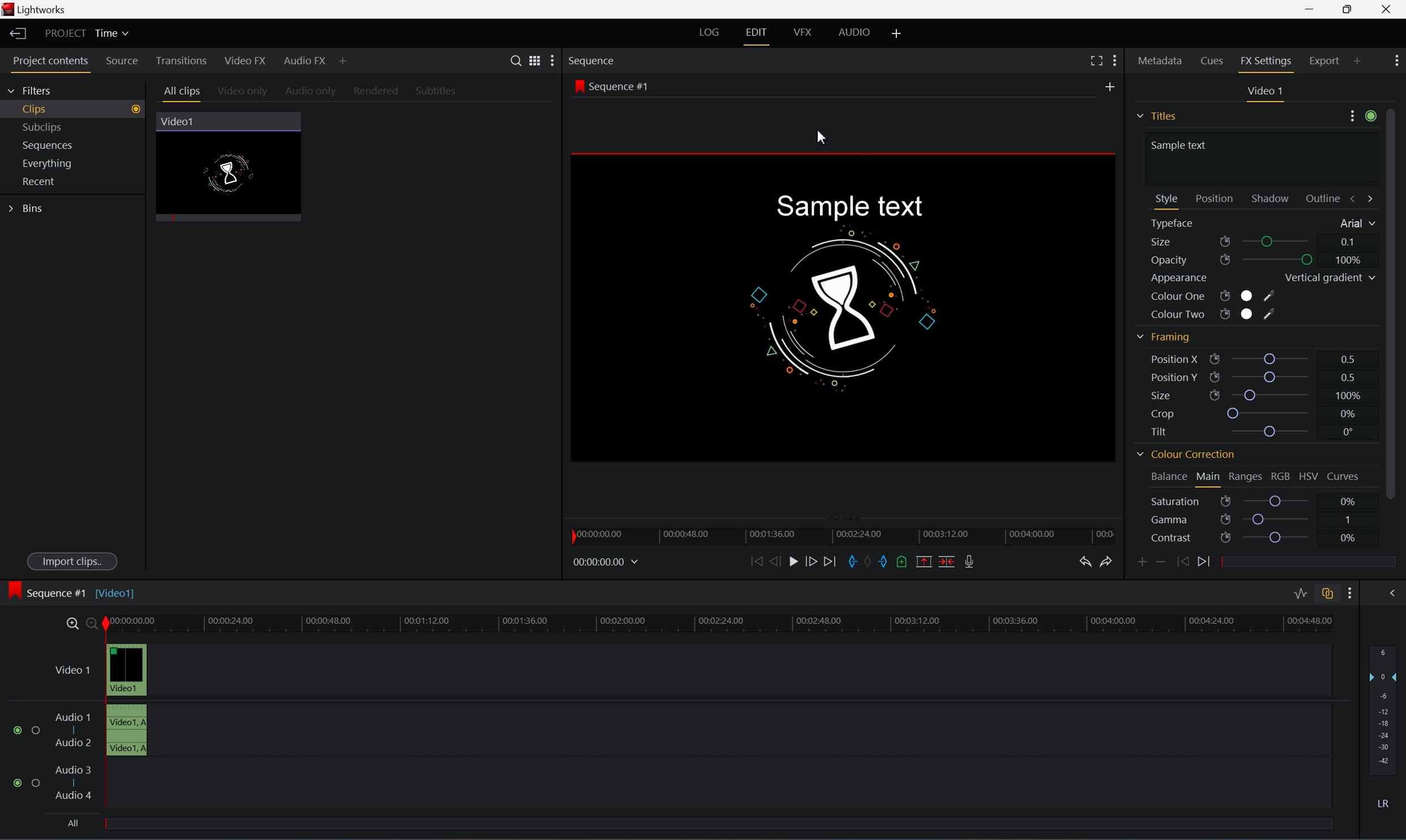 The height and width of the screenshot is (840, 1406). What do you see at coordinates (1177, 224) in the screenshot?
I see `typeface` at bounding box center [1177, 224].